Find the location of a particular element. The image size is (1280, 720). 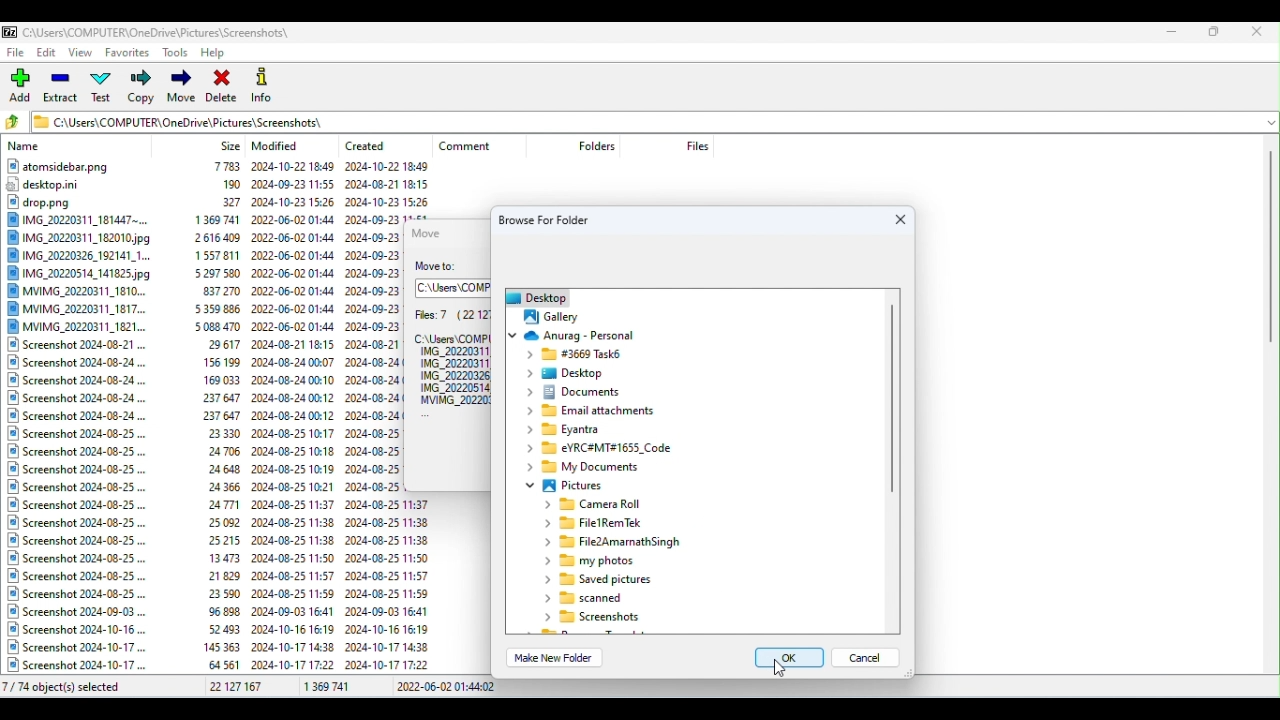

Cancel is located at coordinates (872, 662).